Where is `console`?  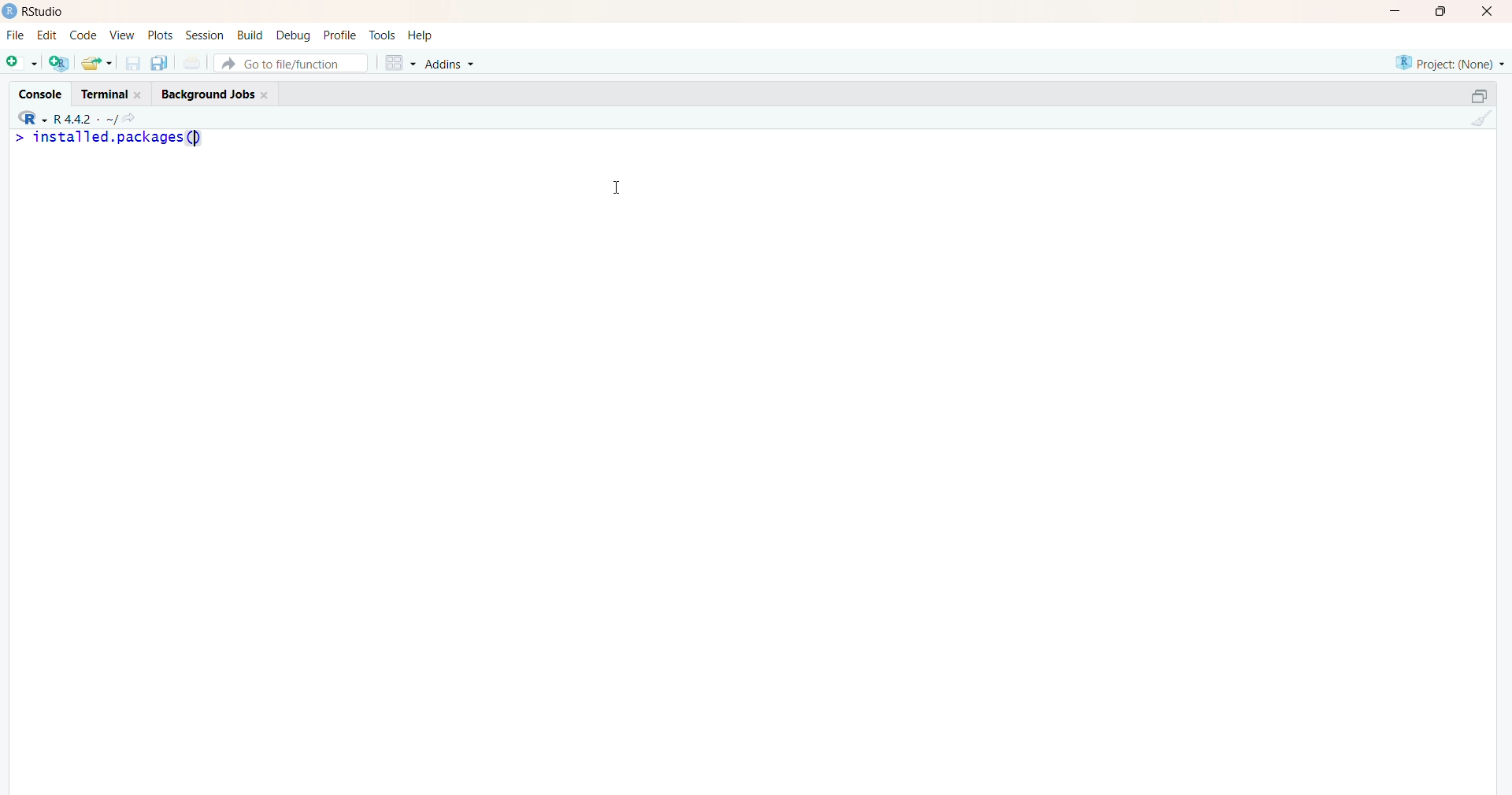 console is located at coordinates (39, 96).